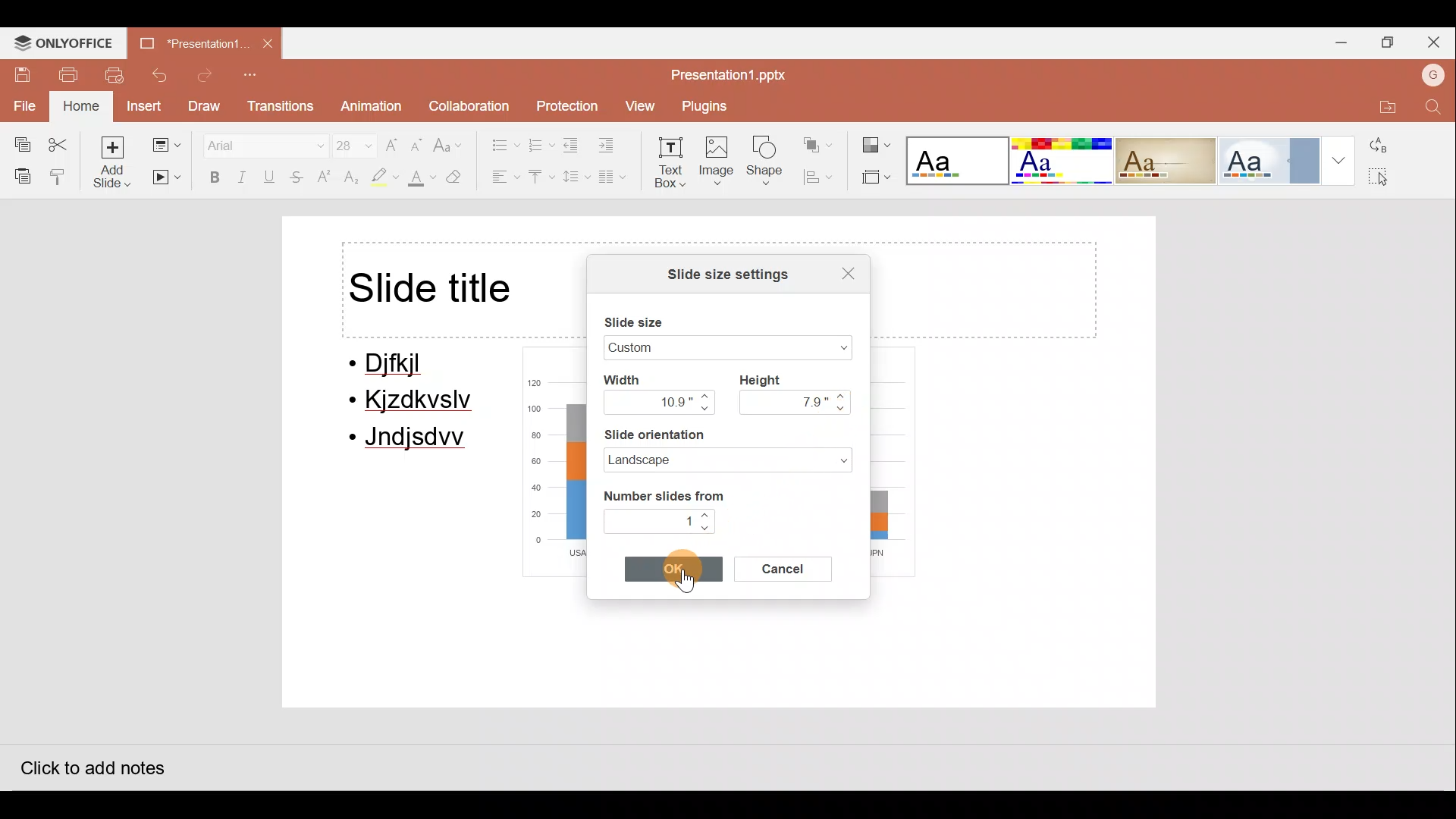  Describe the element at coordinates (1339, 160) in the screenshot. I see `More theme` at that location.